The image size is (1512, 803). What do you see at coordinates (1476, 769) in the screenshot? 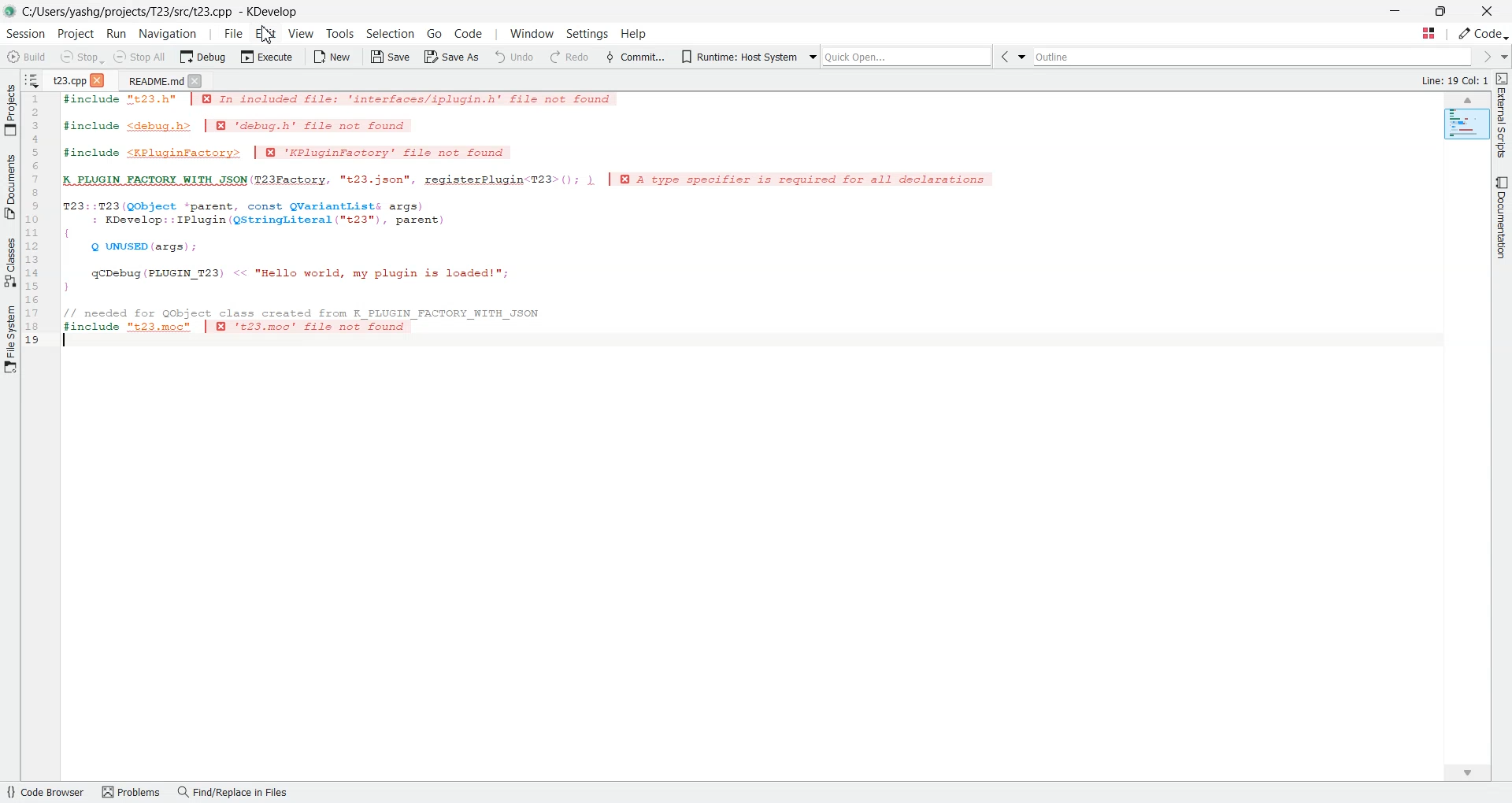
I see `Scroll down` at bounding box center [1476, 769].